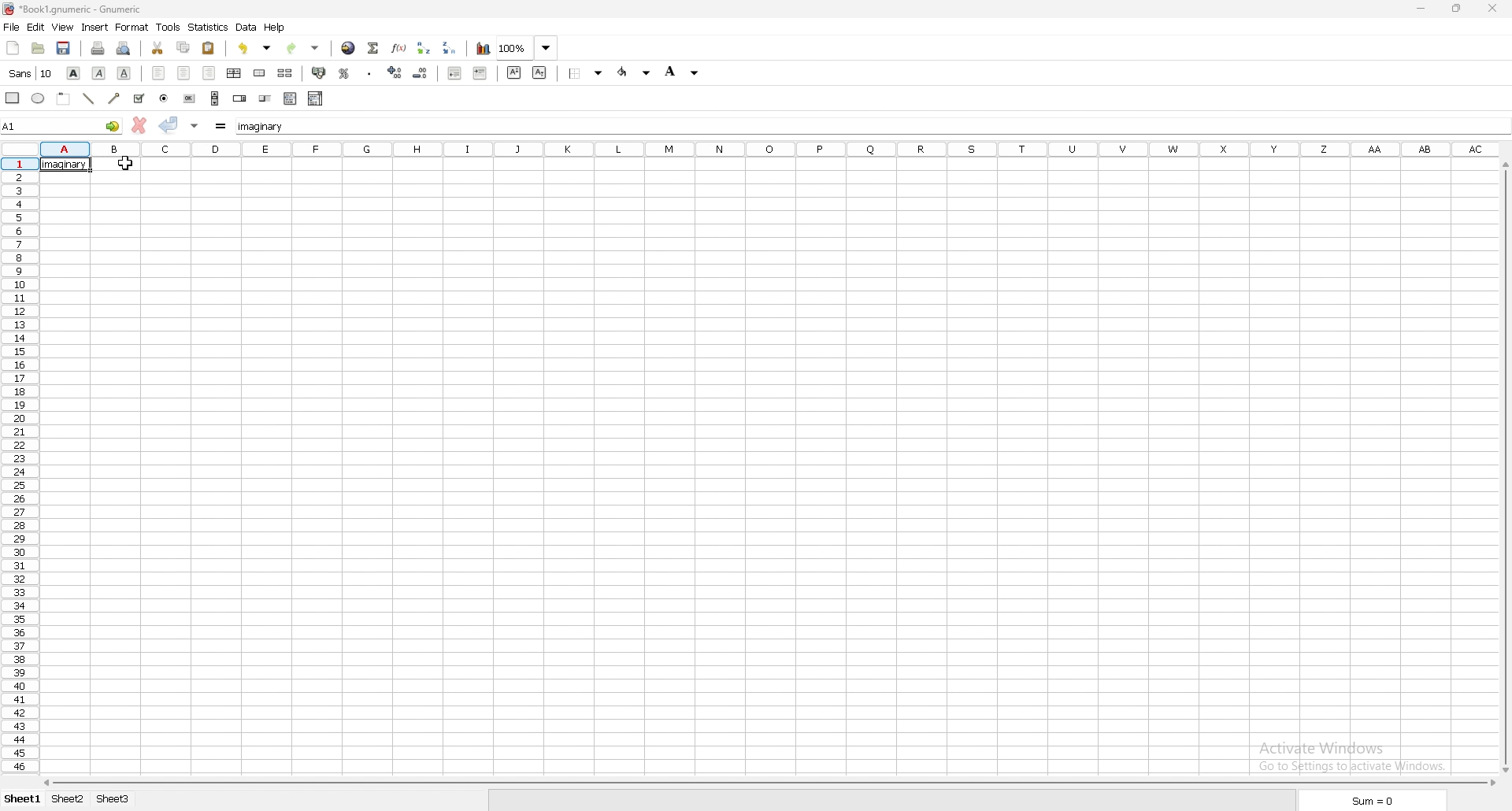 This screenshot has width=1512, height=811. What do you see at coordinates (235, 72) in the screenshot?
I see `centre horizontally` at bounding box center [235, 72].